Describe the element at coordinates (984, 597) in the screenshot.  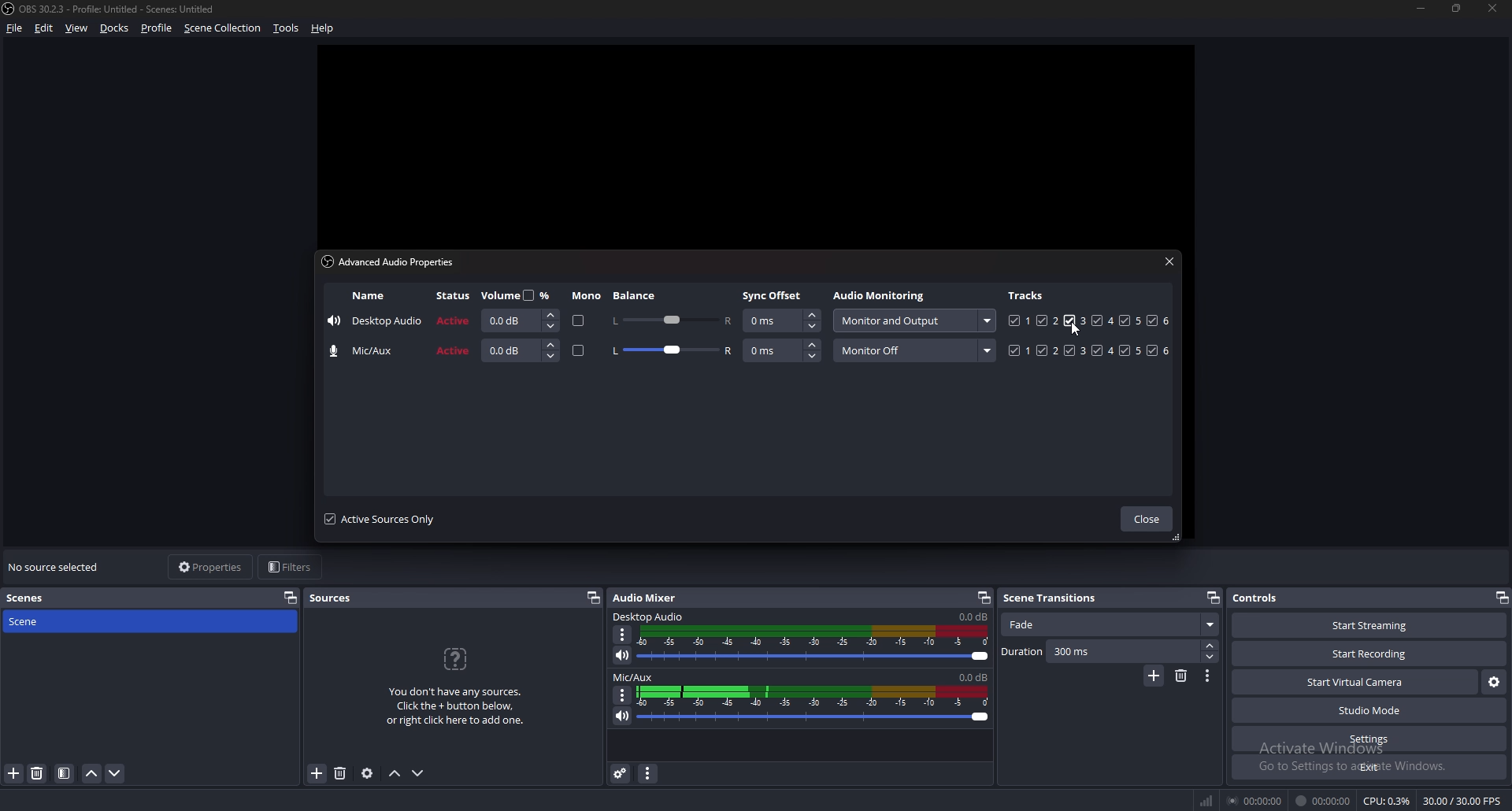
I see `pop out` at that location.